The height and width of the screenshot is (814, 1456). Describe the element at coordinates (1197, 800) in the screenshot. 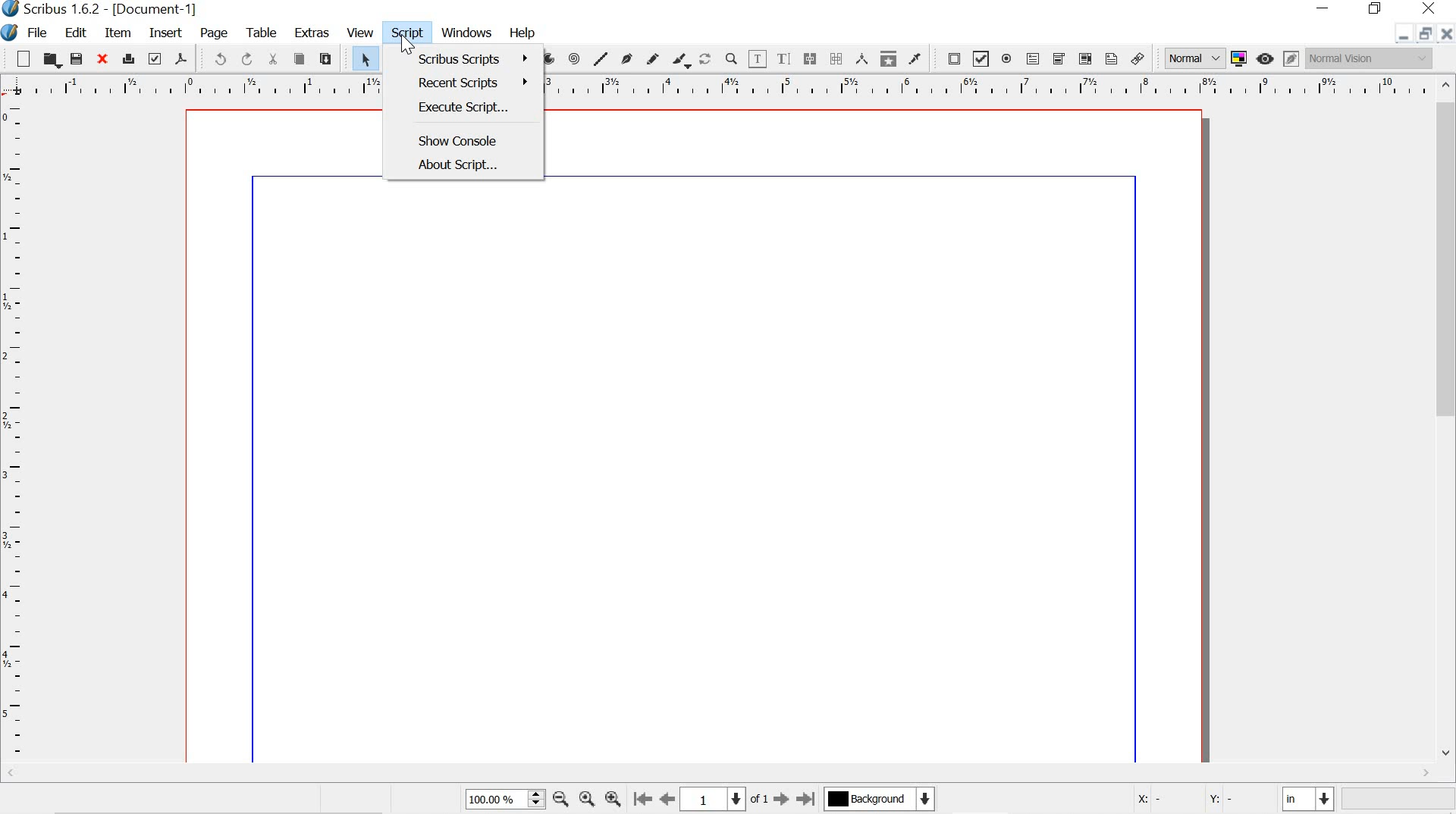

I see `X: - Y: -` at that location.